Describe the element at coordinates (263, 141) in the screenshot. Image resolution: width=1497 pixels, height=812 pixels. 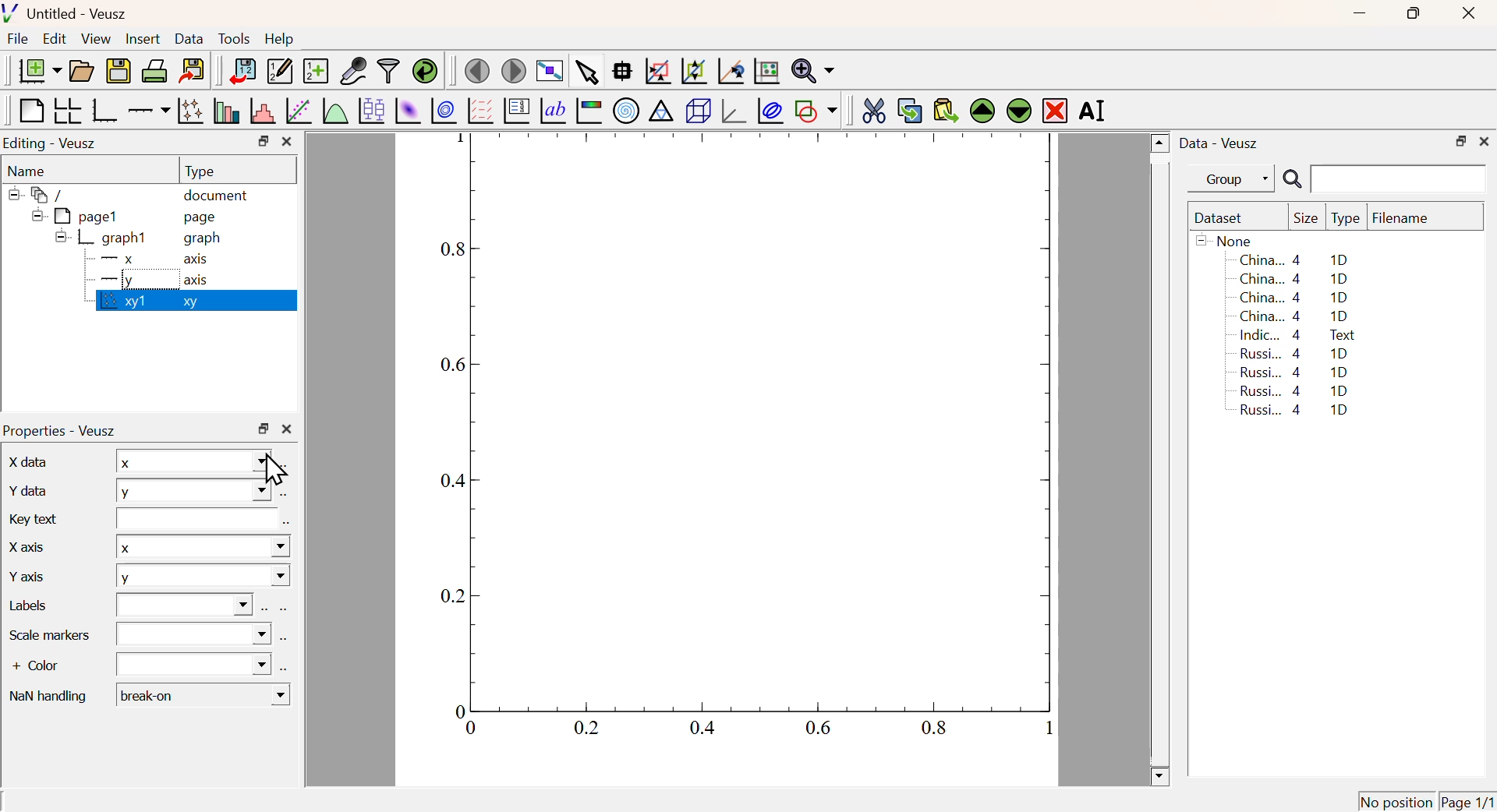
I see `Restore Down` at that location.